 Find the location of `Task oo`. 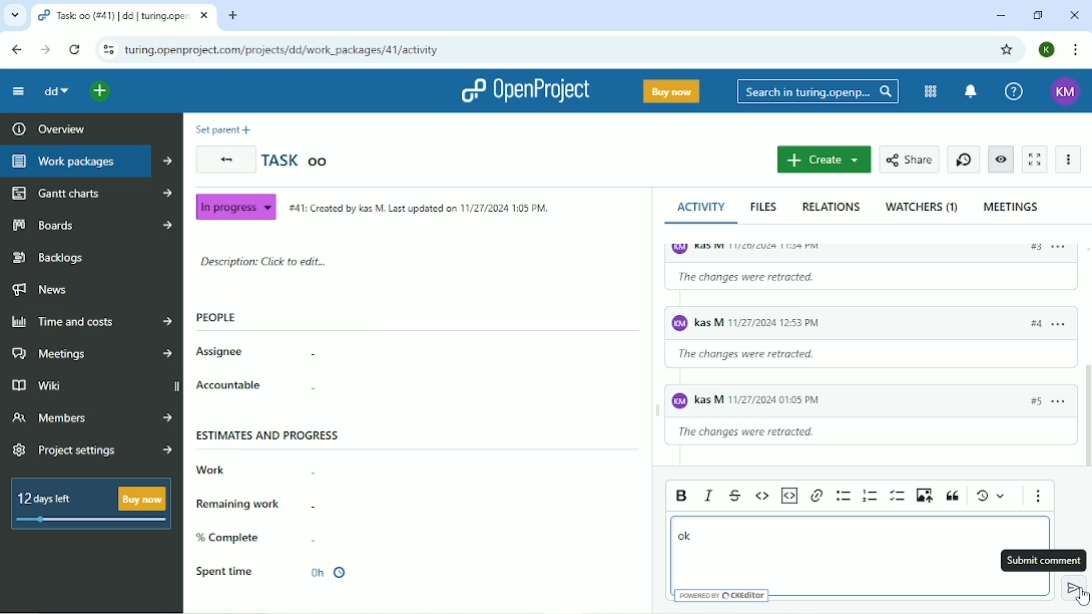

Task oo is located at coordinates (296, 159).